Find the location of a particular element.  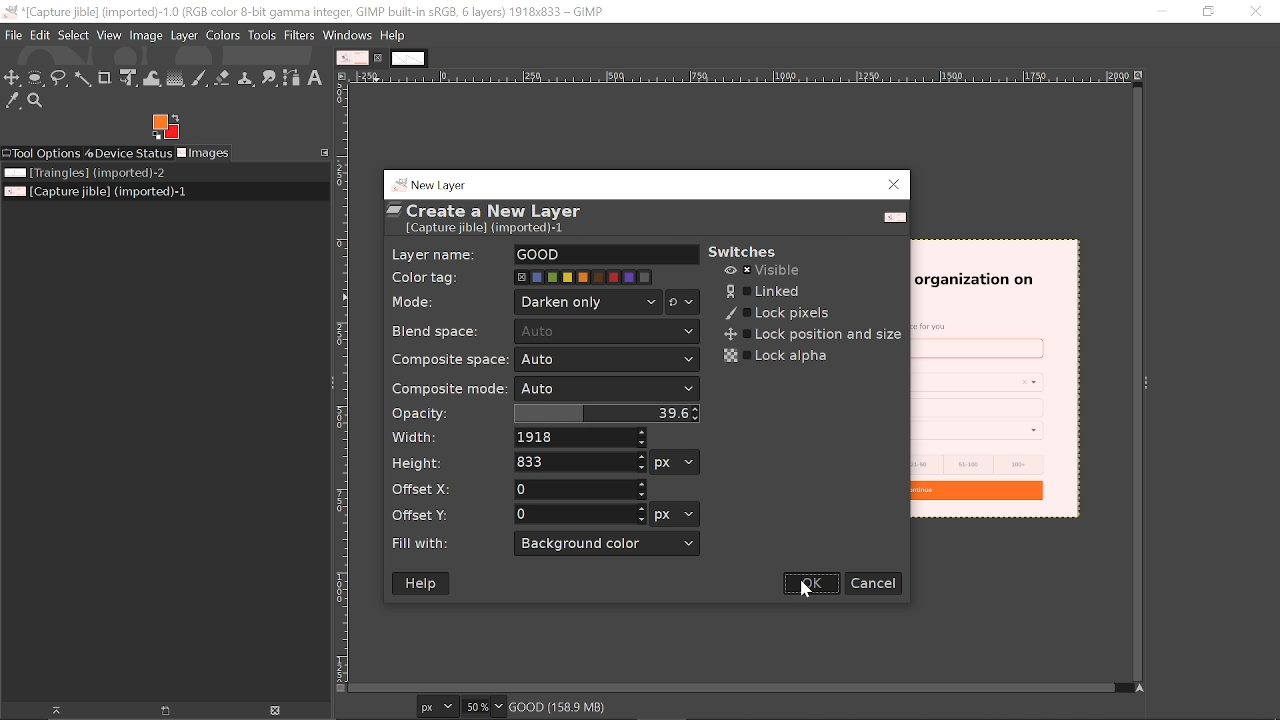

Offset X: is located at coordinates (423, 489).